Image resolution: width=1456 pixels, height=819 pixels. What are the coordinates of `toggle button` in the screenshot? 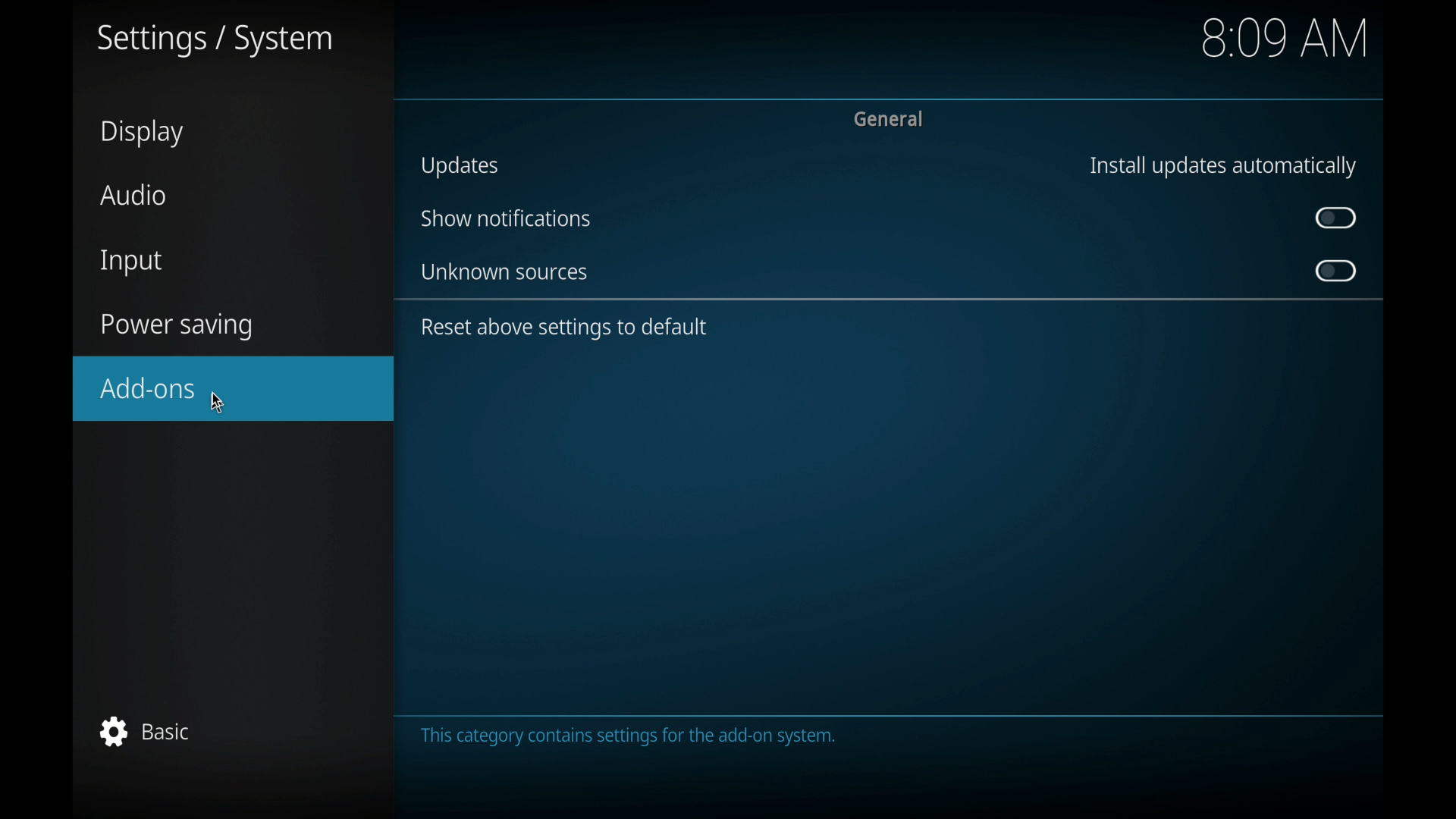 It's located at (1336, 218).